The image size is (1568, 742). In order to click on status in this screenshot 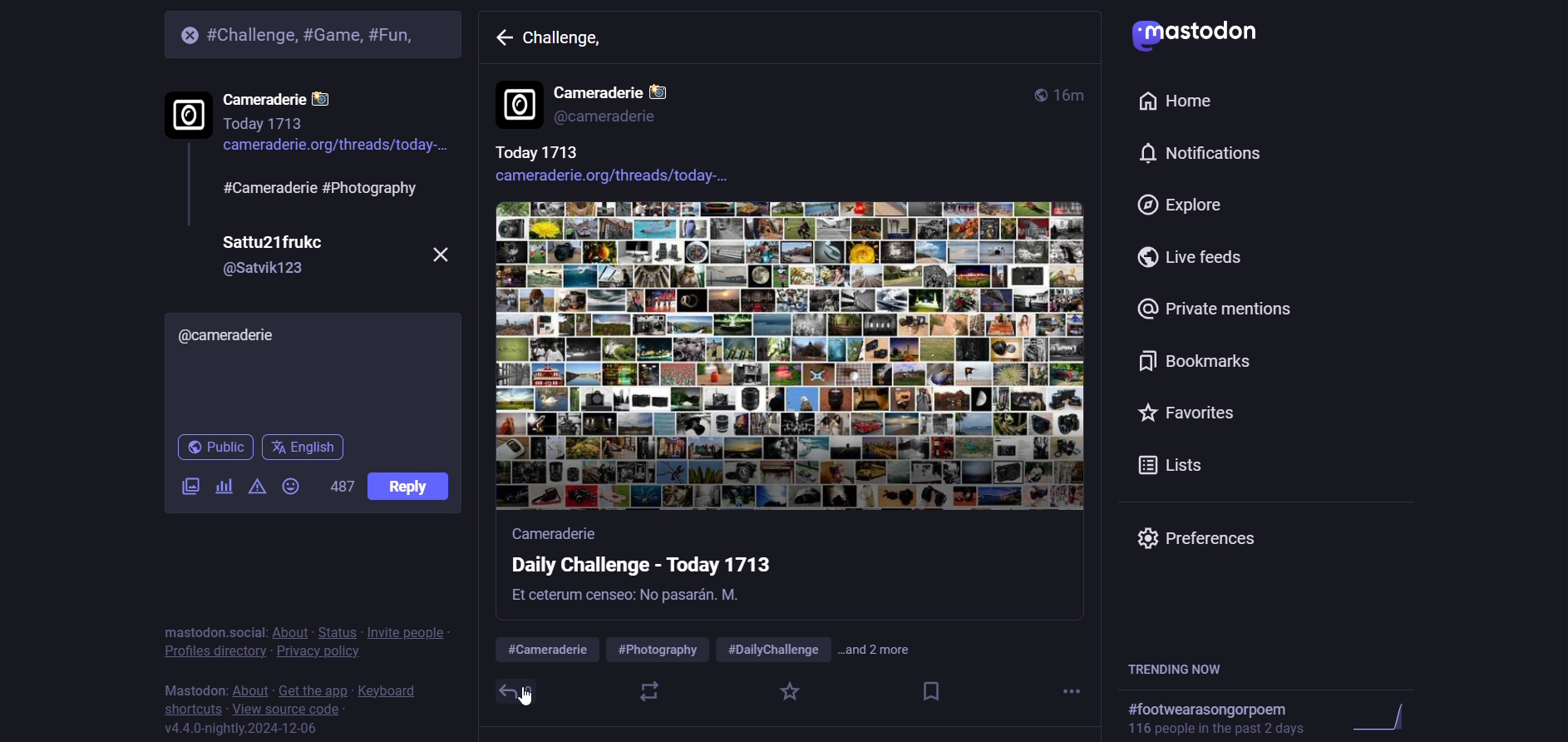, I will do `click(339, 630)`.